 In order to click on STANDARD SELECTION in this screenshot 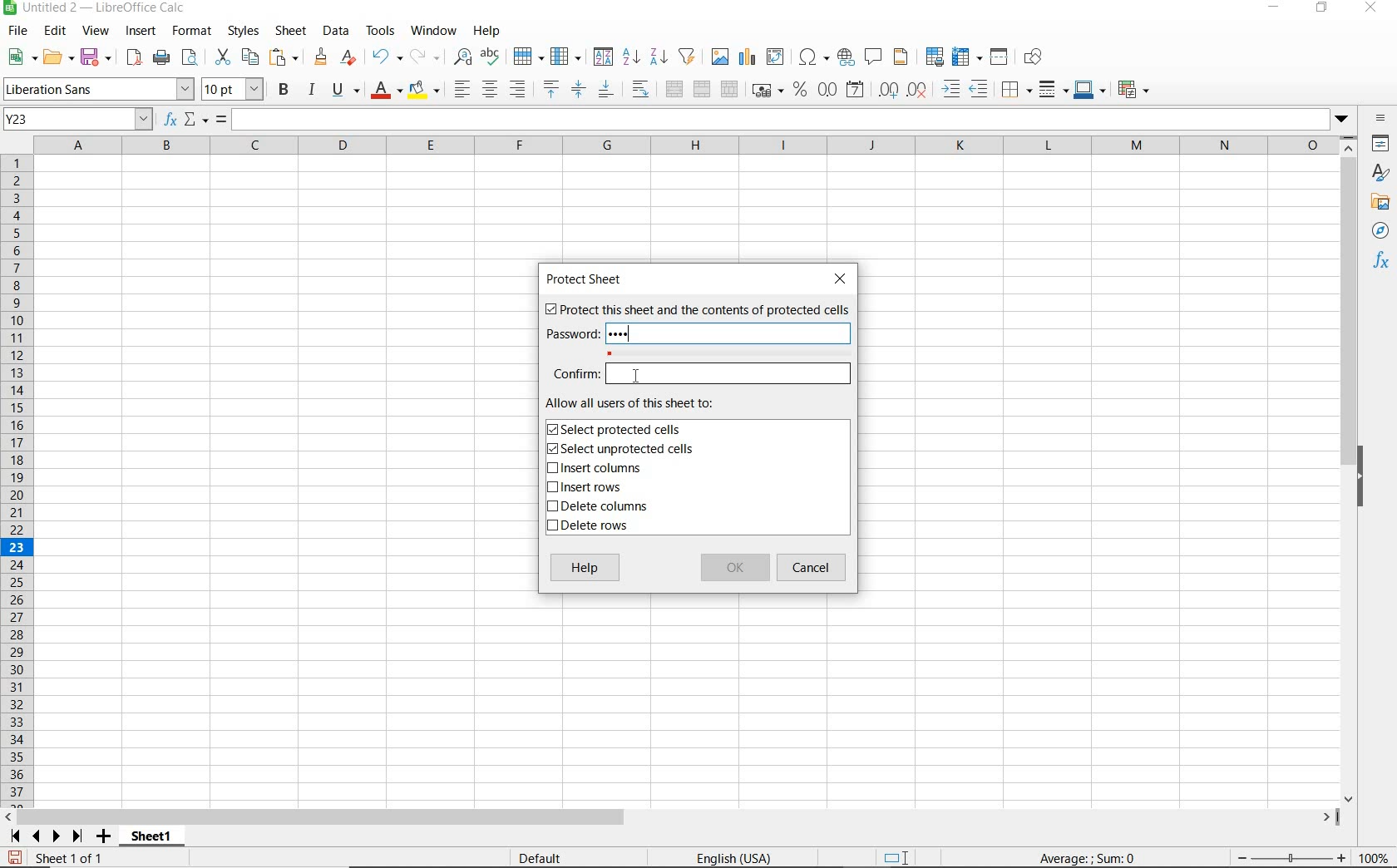, I will do `click(897, 858)`.